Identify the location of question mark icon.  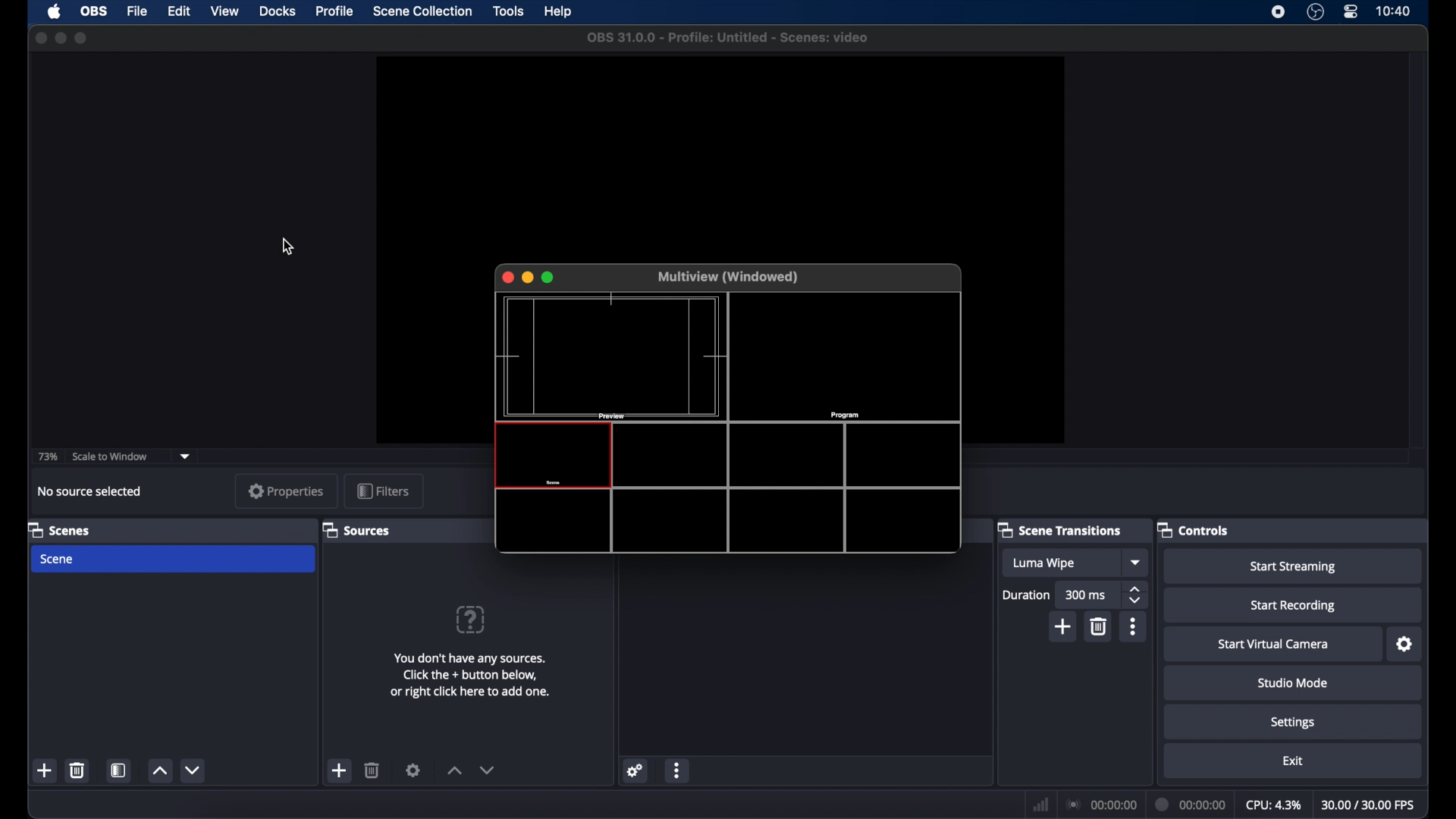
(472, 619).